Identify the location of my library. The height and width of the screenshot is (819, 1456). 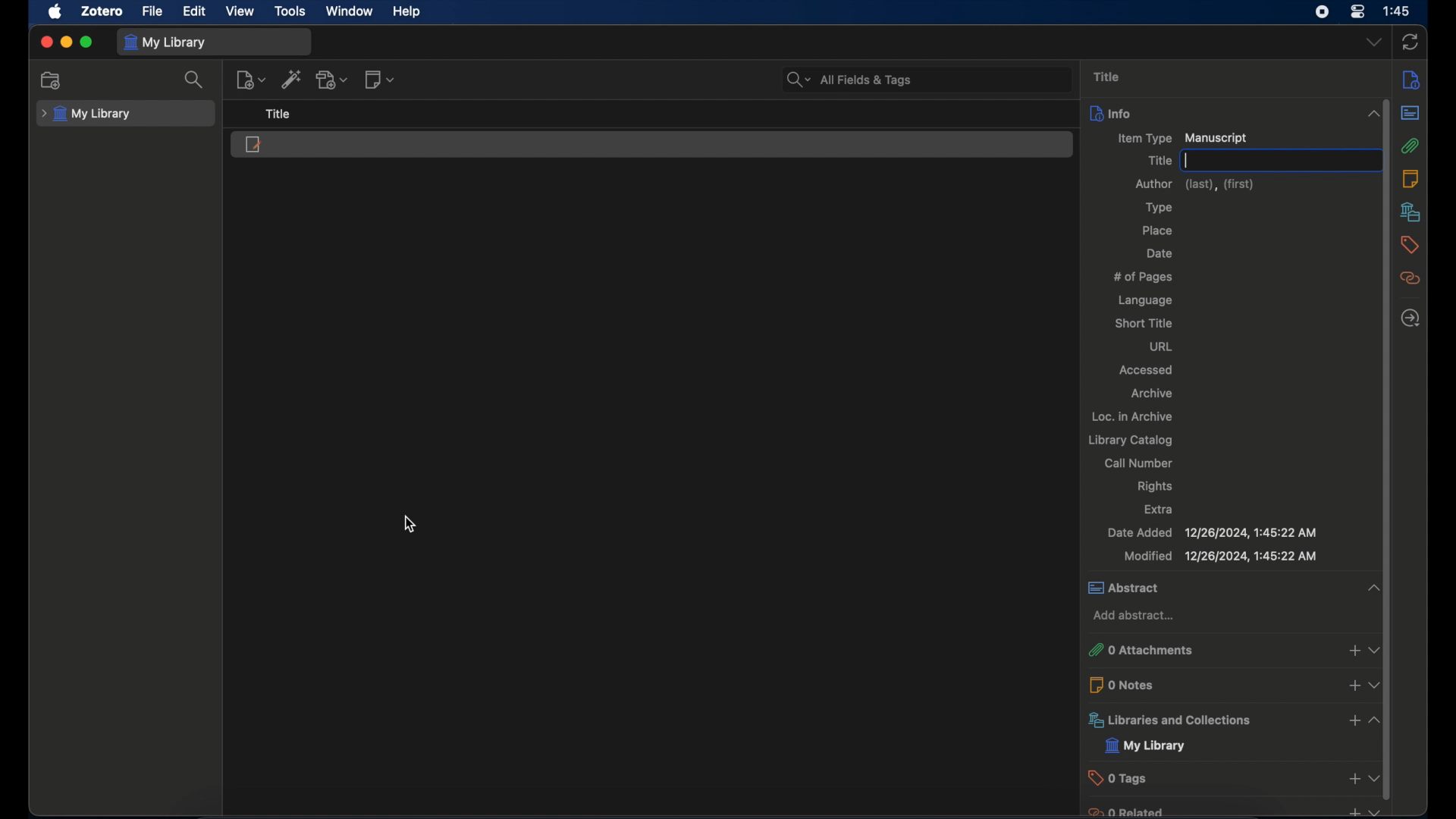
(86, 115).